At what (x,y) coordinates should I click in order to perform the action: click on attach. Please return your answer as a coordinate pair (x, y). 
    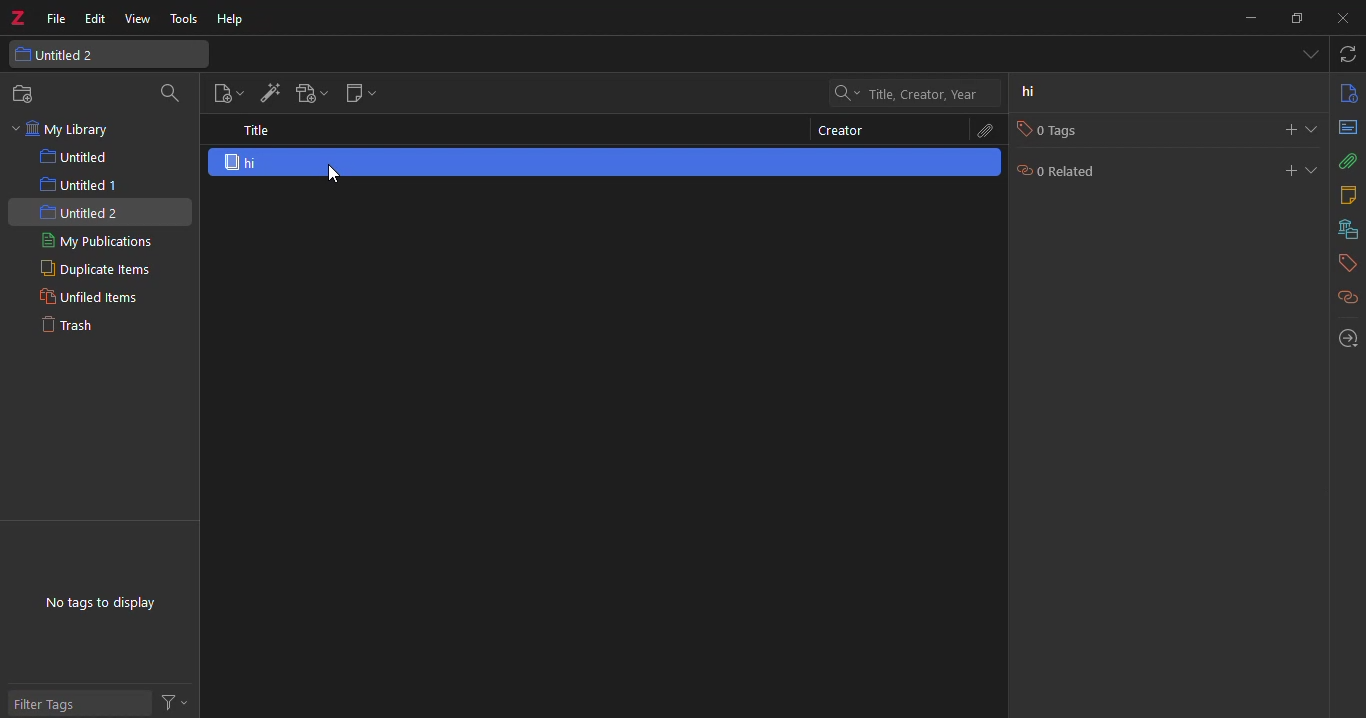
    Looking at the image, I should click on (985, 130).